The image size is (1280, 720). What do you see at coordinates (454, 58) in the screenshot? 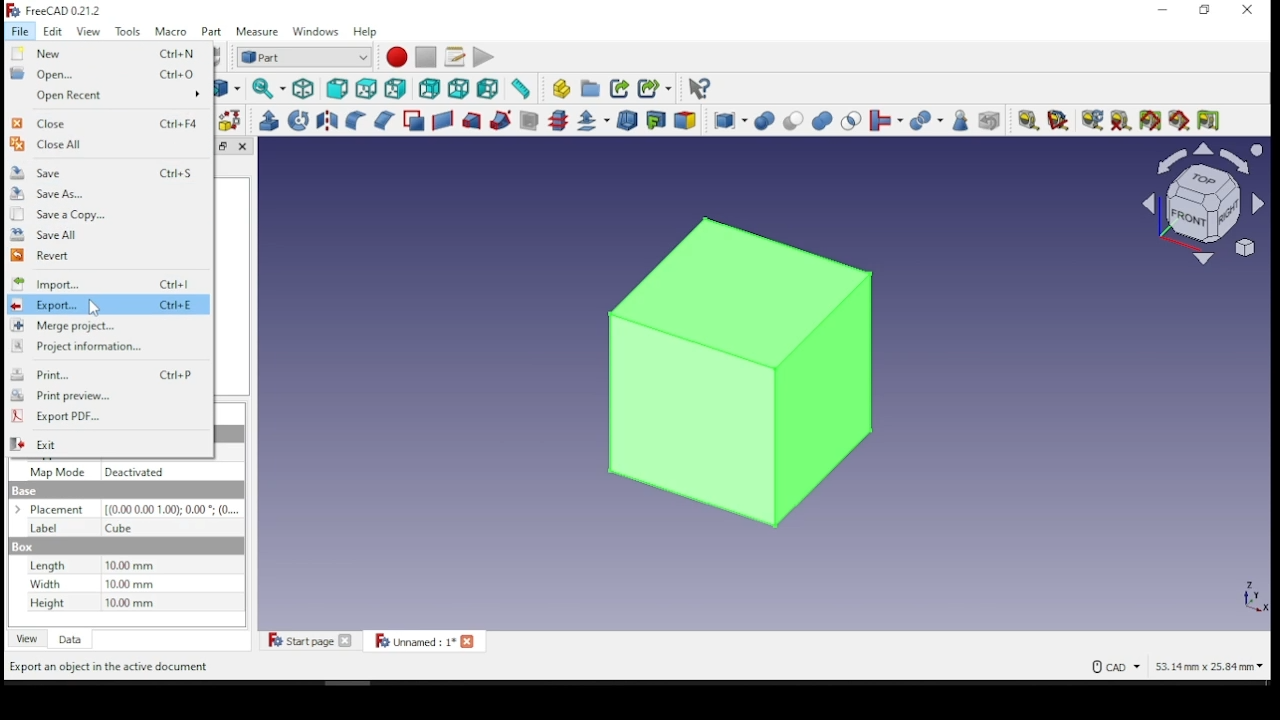
I see `macros` at bounding box center [454, 58].